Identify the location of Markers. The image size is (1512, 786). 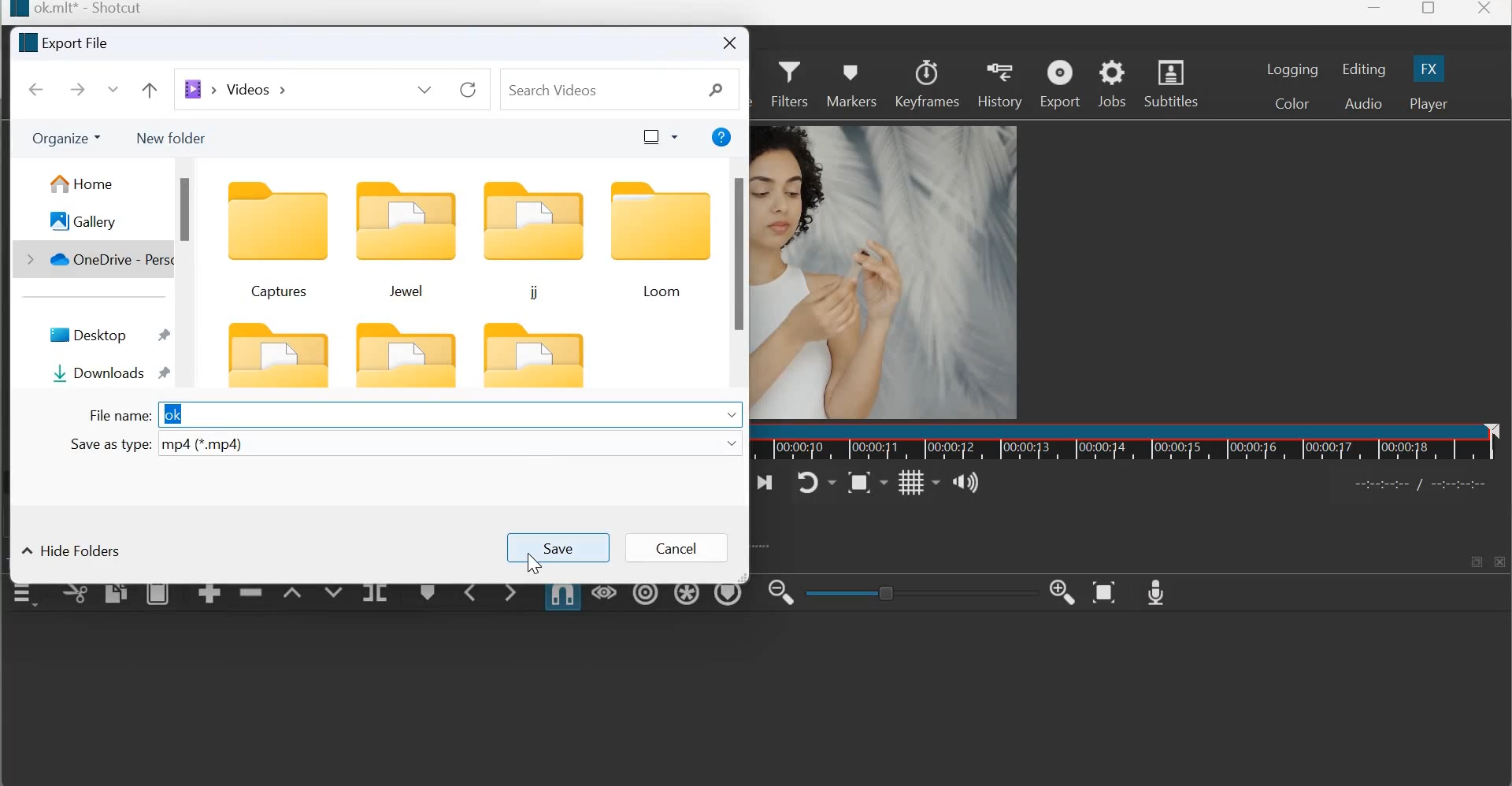
(850, 81).